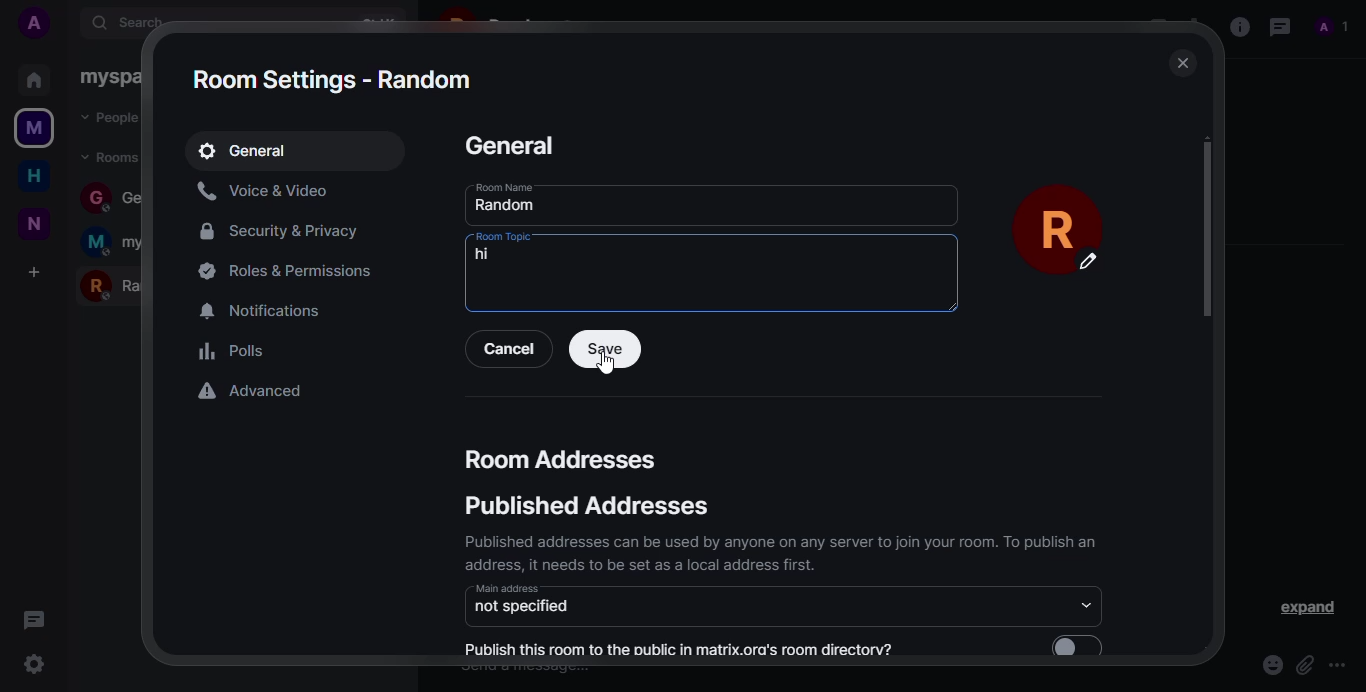 This screenshot has height=692, width=1366. What do you see at coordinates (121, 283) in the screenshot?
I see `random` at bounding box center [121, 283].